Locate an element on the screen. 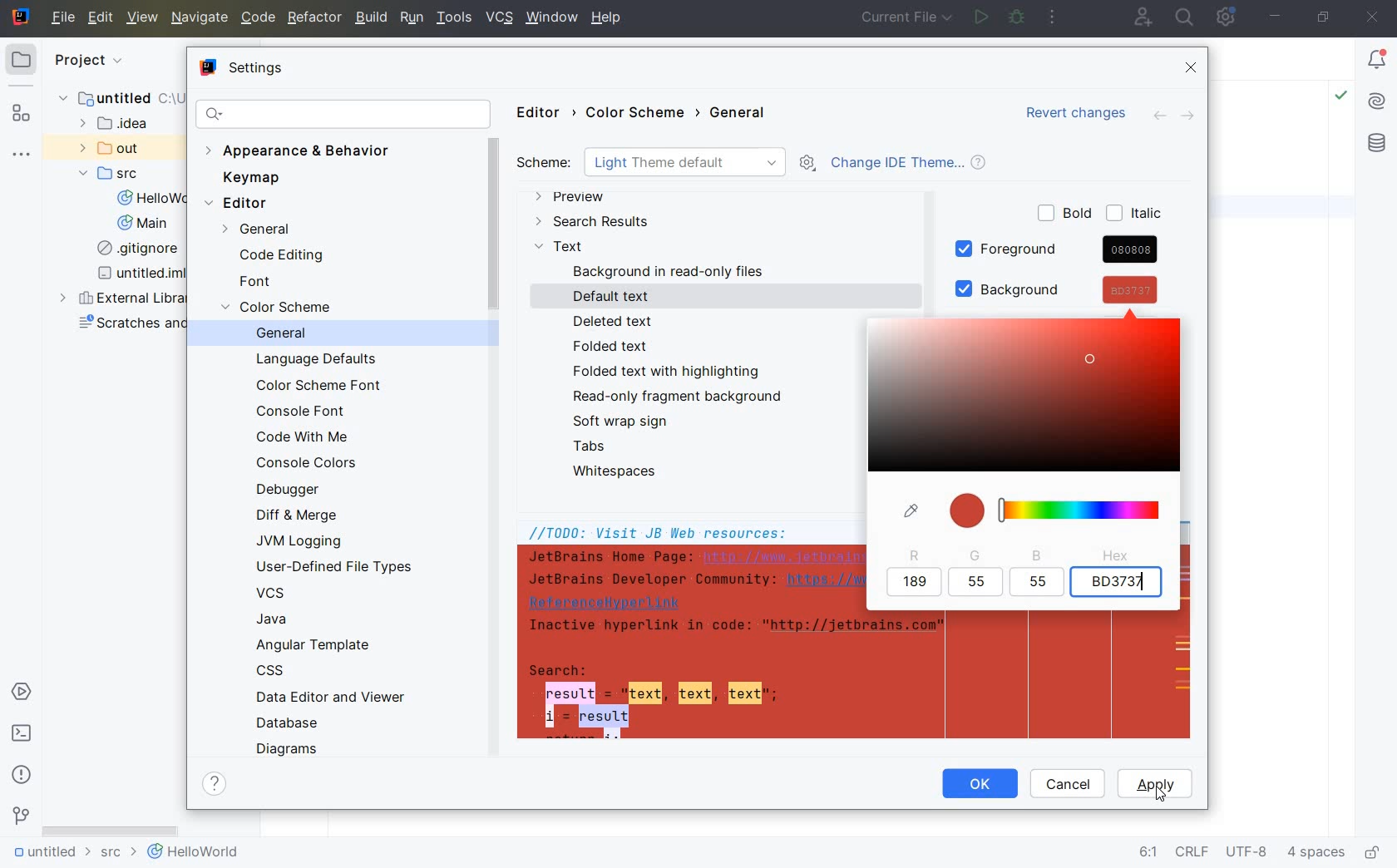 The width and height of the screenshot is (1397, 868). ANGULAR TEMPLATE is located at coordinates (315, 645).